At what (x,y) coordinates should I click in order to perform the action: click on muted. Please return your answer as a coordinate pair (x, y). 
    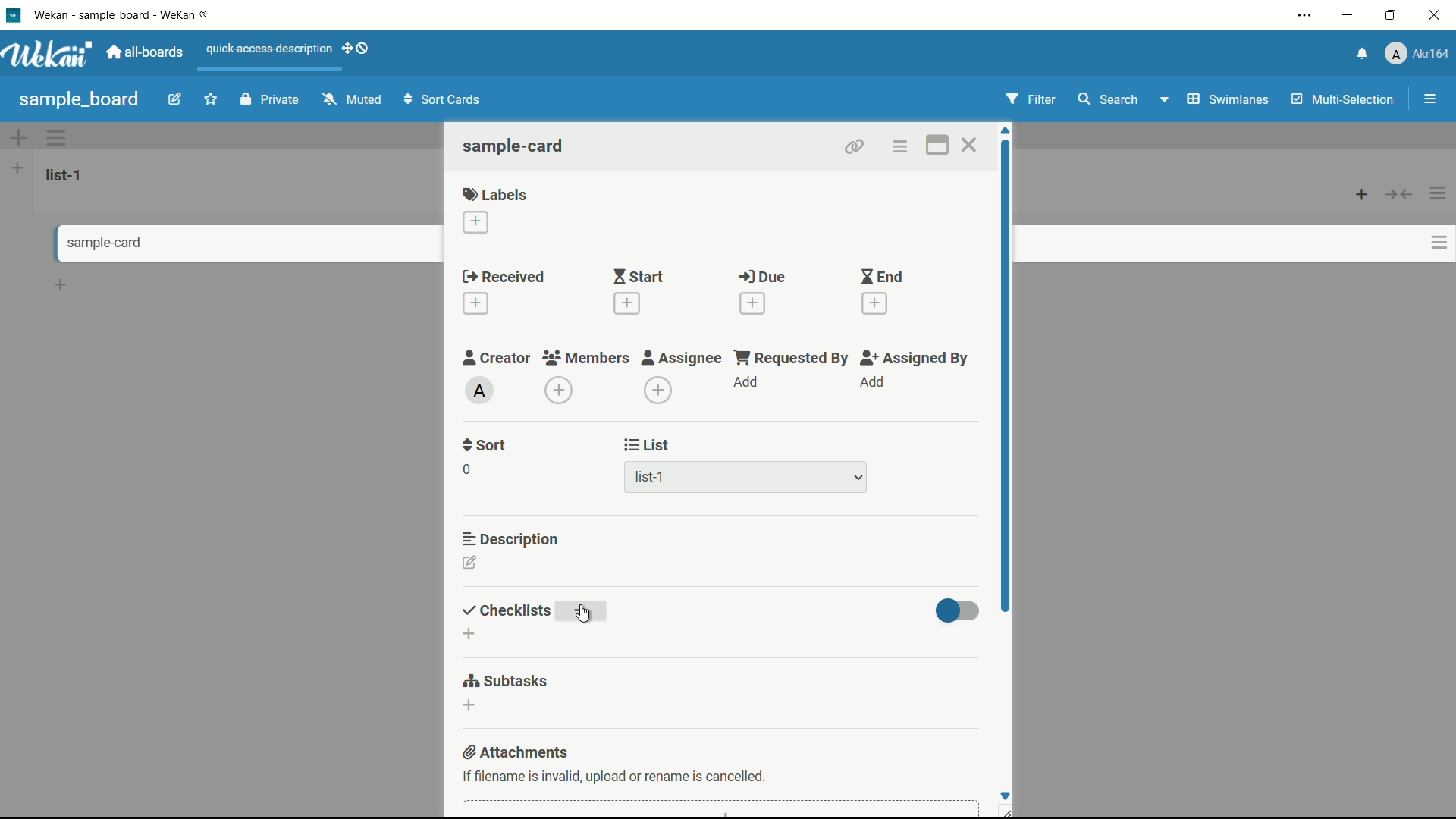
    Looking at the image, I should click on (350, 100).